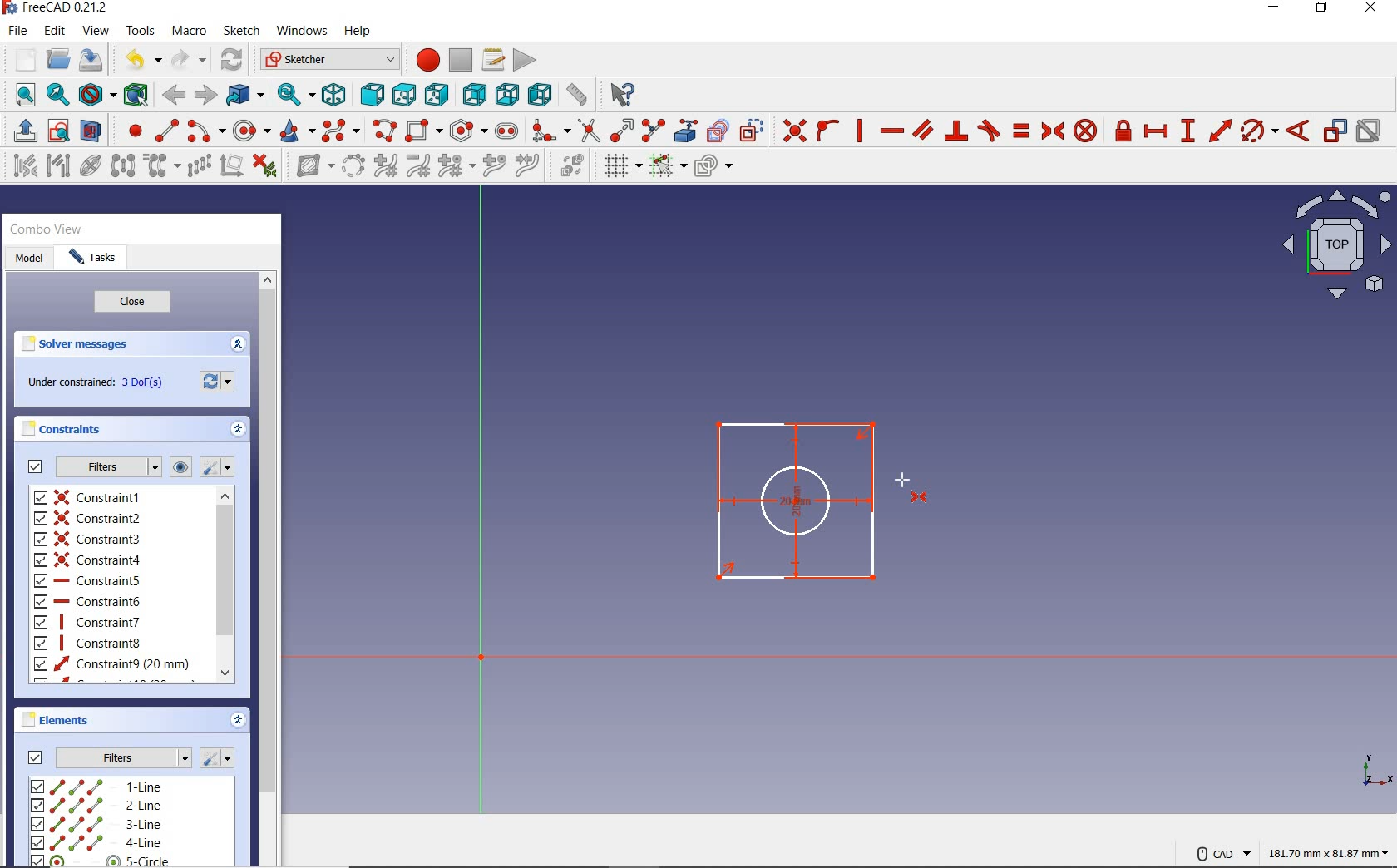 The width and height of the screenshot is (1397, 868). What do you see at coordinates (550, 131) in the screenshot?
I see `create fillet` at bounding box center [550, 131].